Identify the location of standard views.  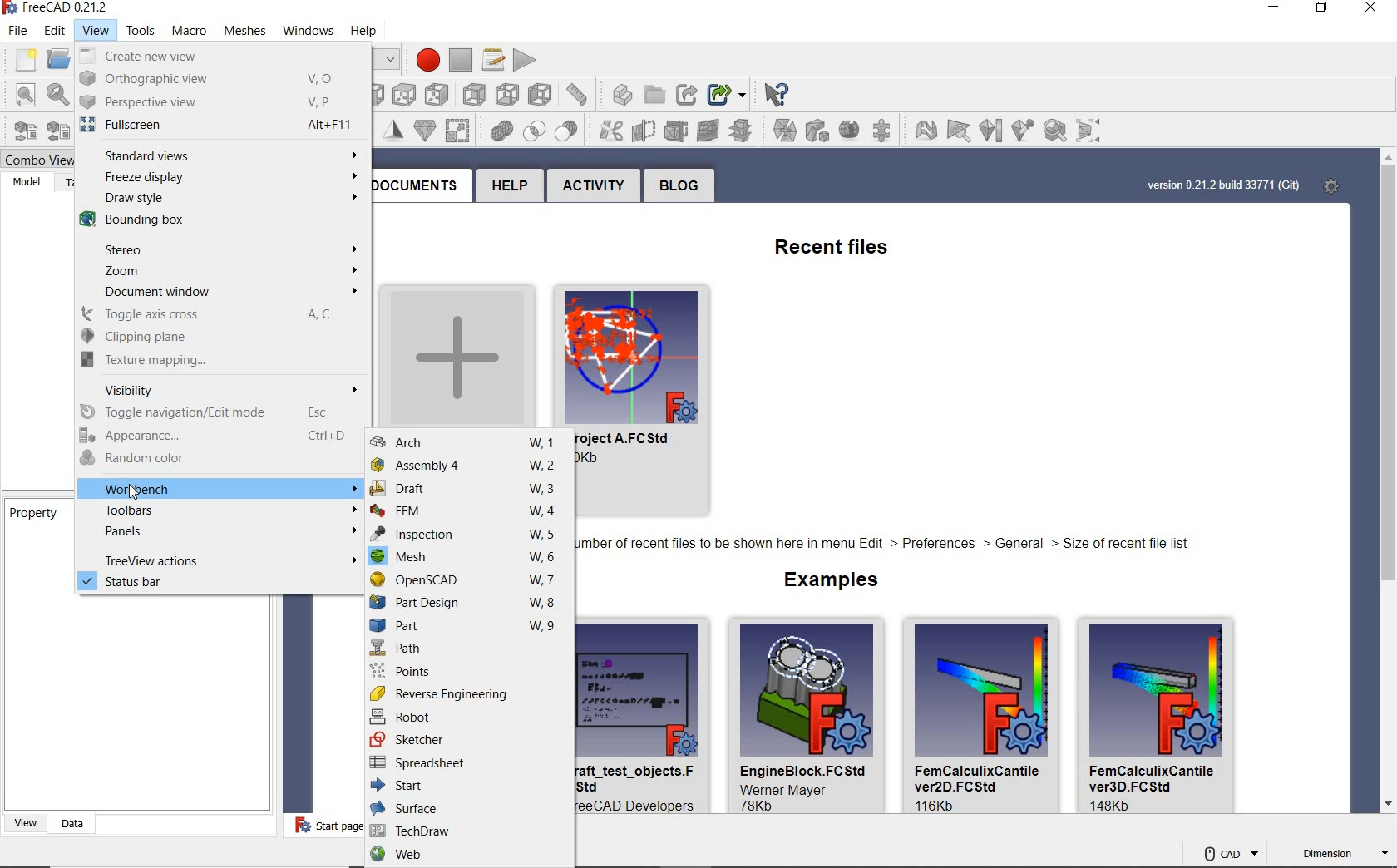
(219, 155).